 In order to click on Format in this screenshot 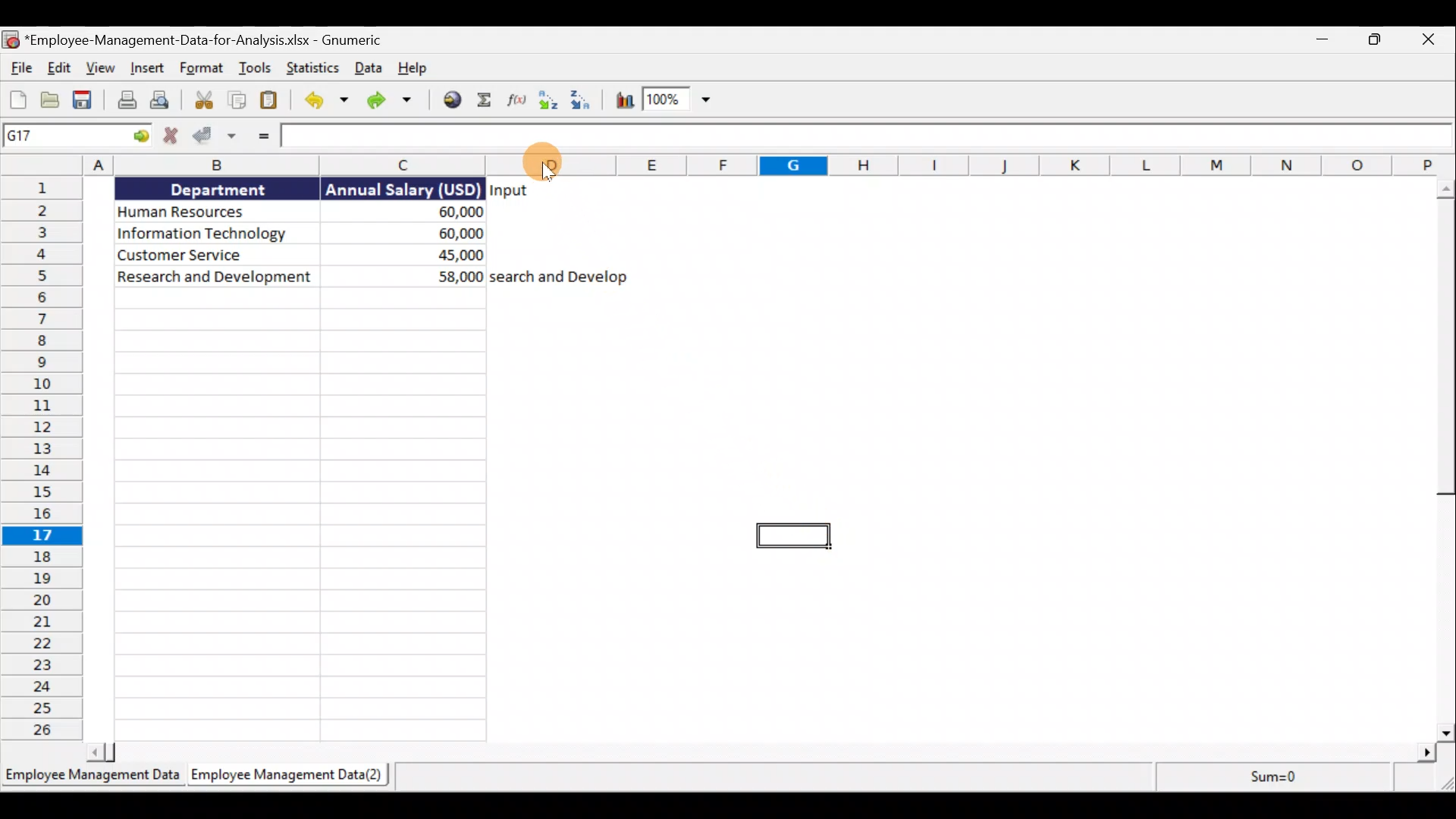, I will do `click(202, 66)`.